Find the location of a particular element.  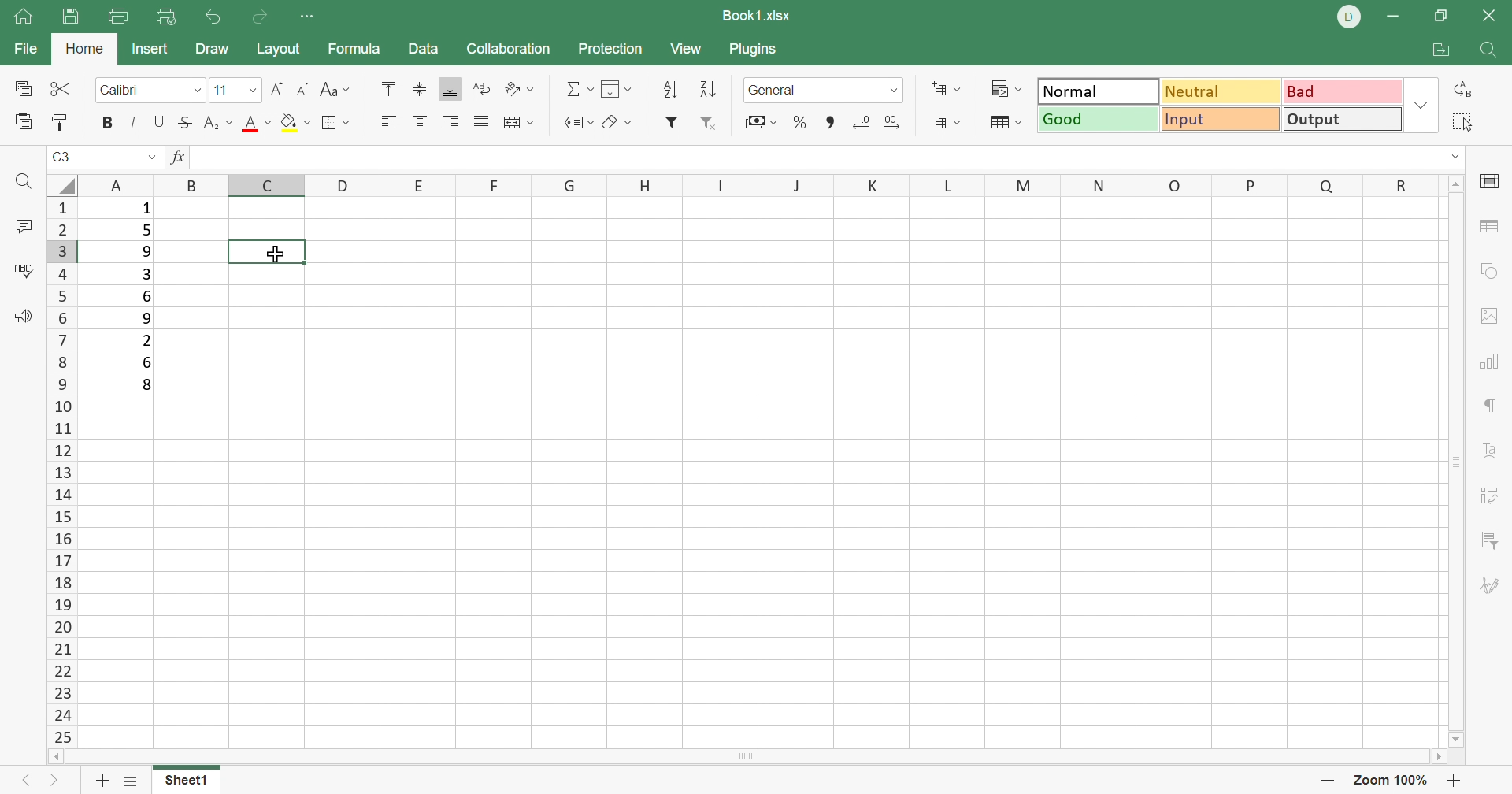

Descending order is located at coordinates (707, 89).